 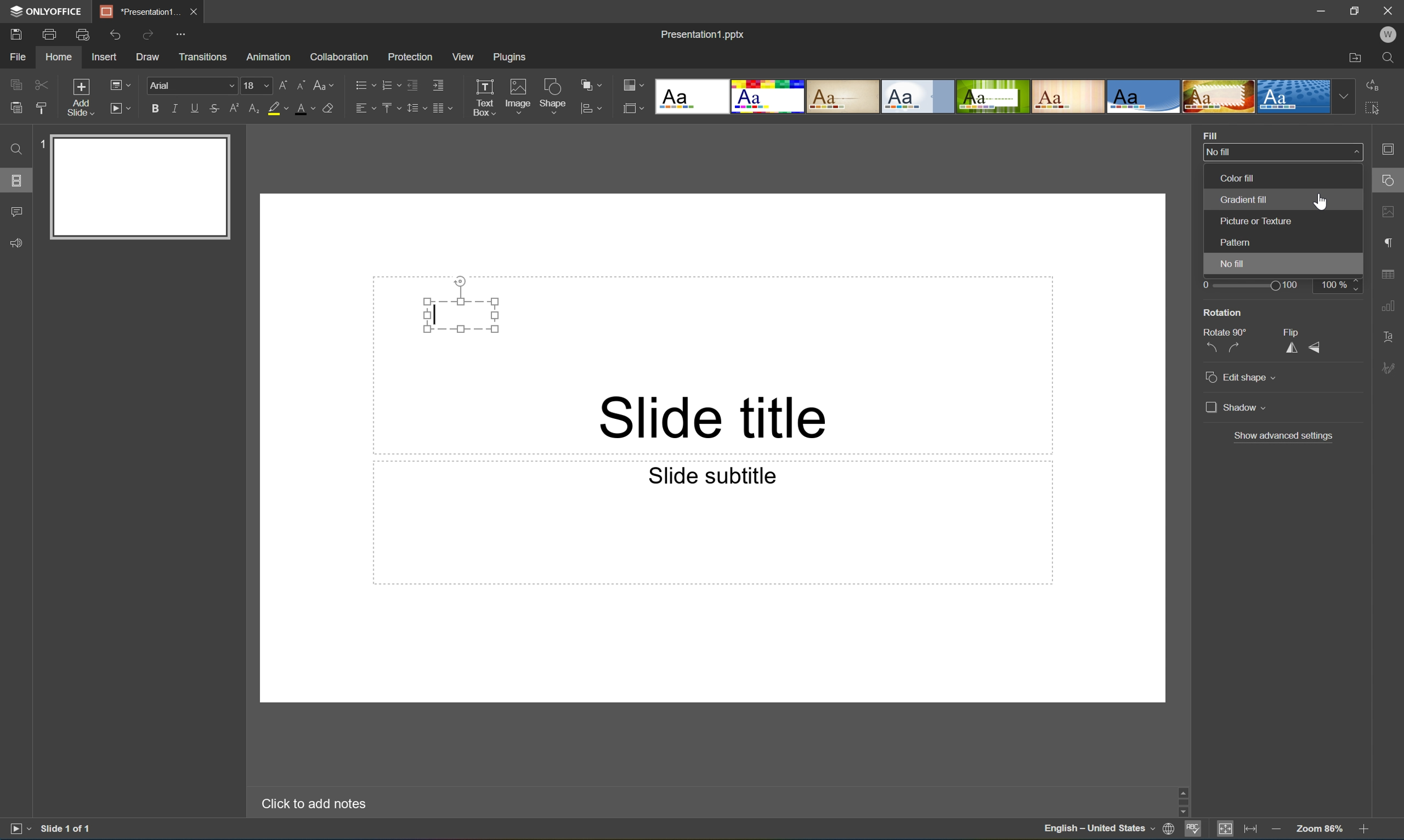 I want to click on 18, so click(x=257, y=85).